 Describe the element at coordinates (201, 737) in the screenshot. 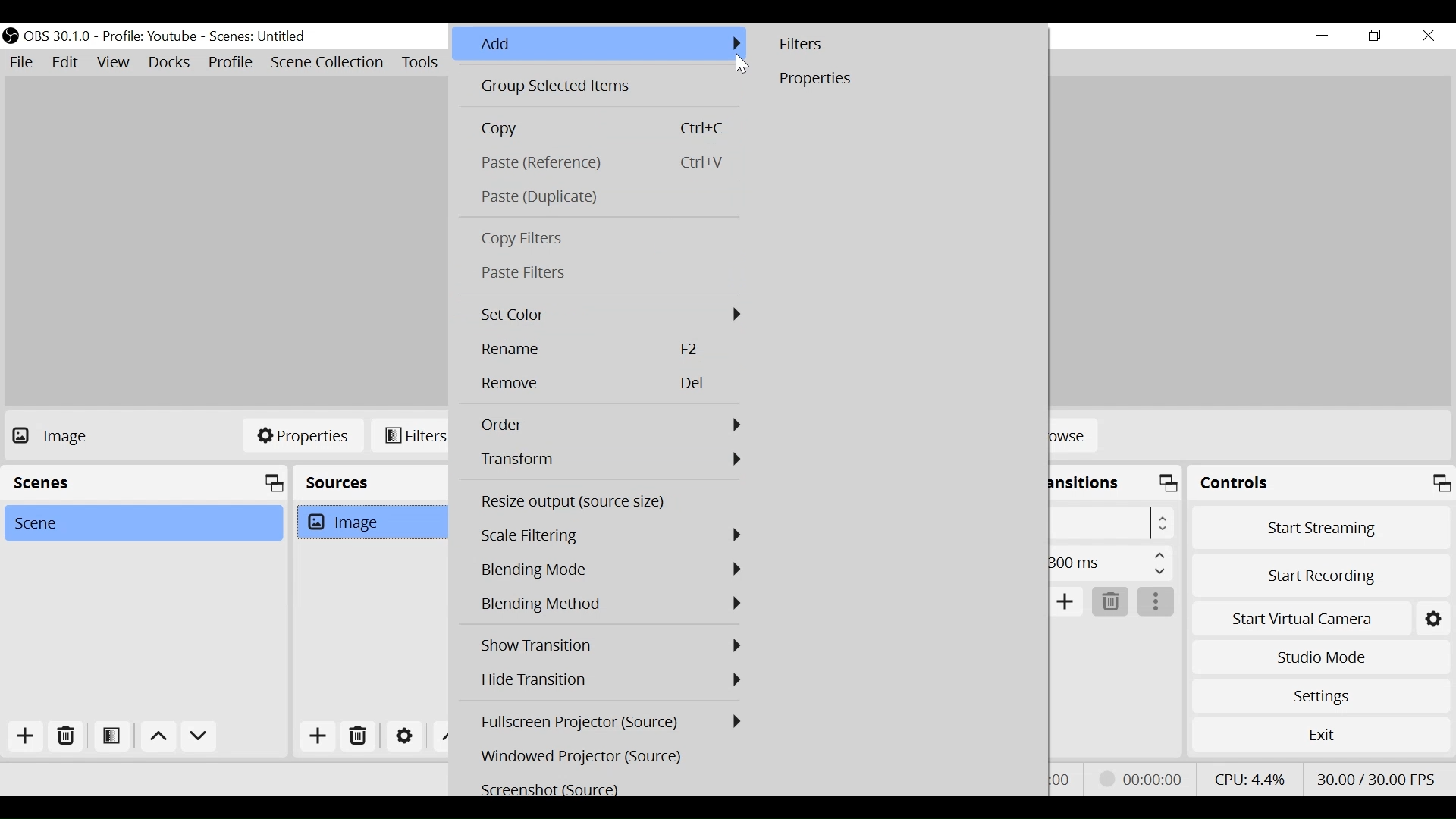

I see `Move down` at that location.